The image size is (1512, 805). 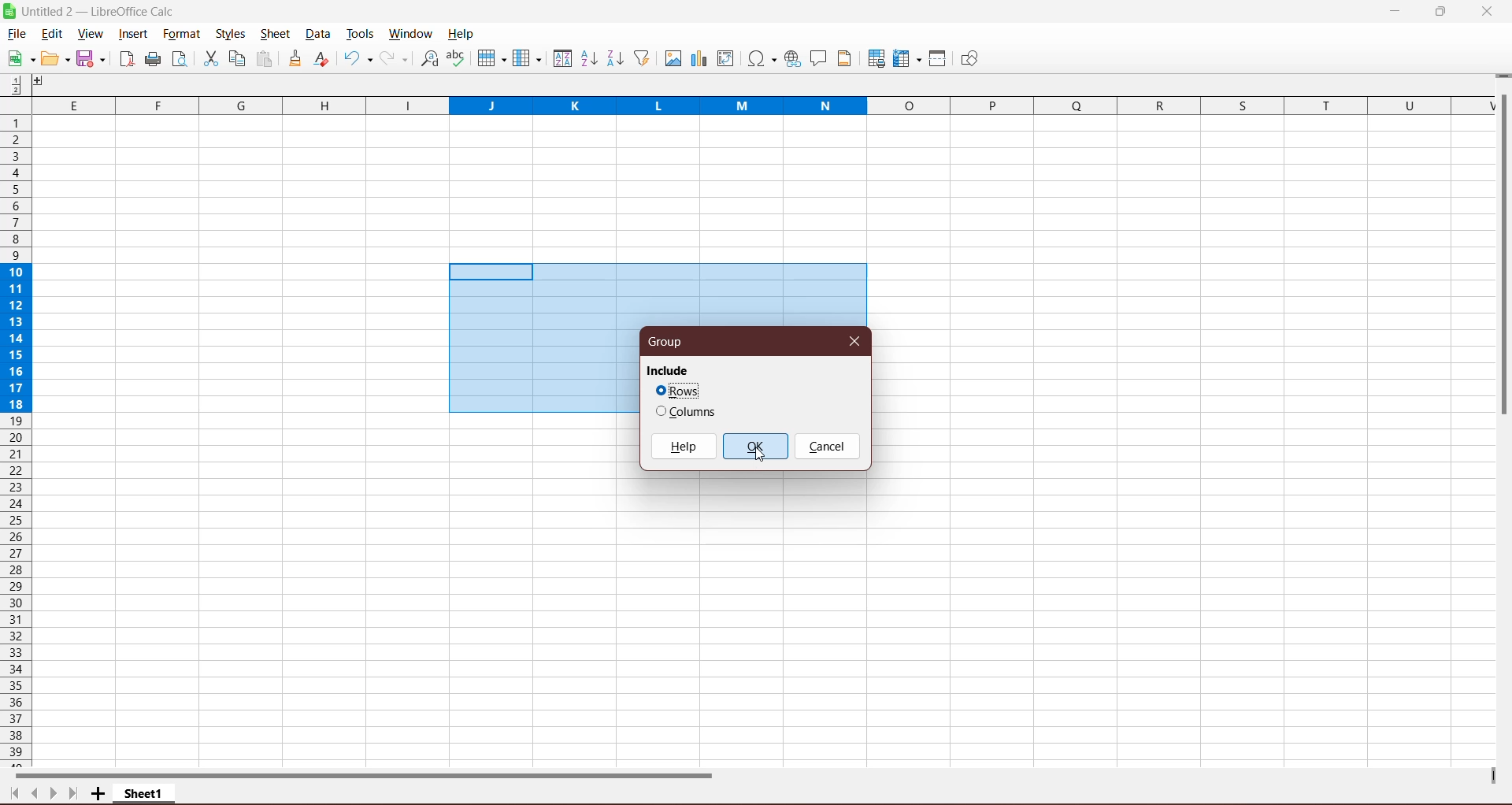 What do you see at coordinates (490, 60) in the screenshot?
I see `Rows` at bounding box center [490, 60].